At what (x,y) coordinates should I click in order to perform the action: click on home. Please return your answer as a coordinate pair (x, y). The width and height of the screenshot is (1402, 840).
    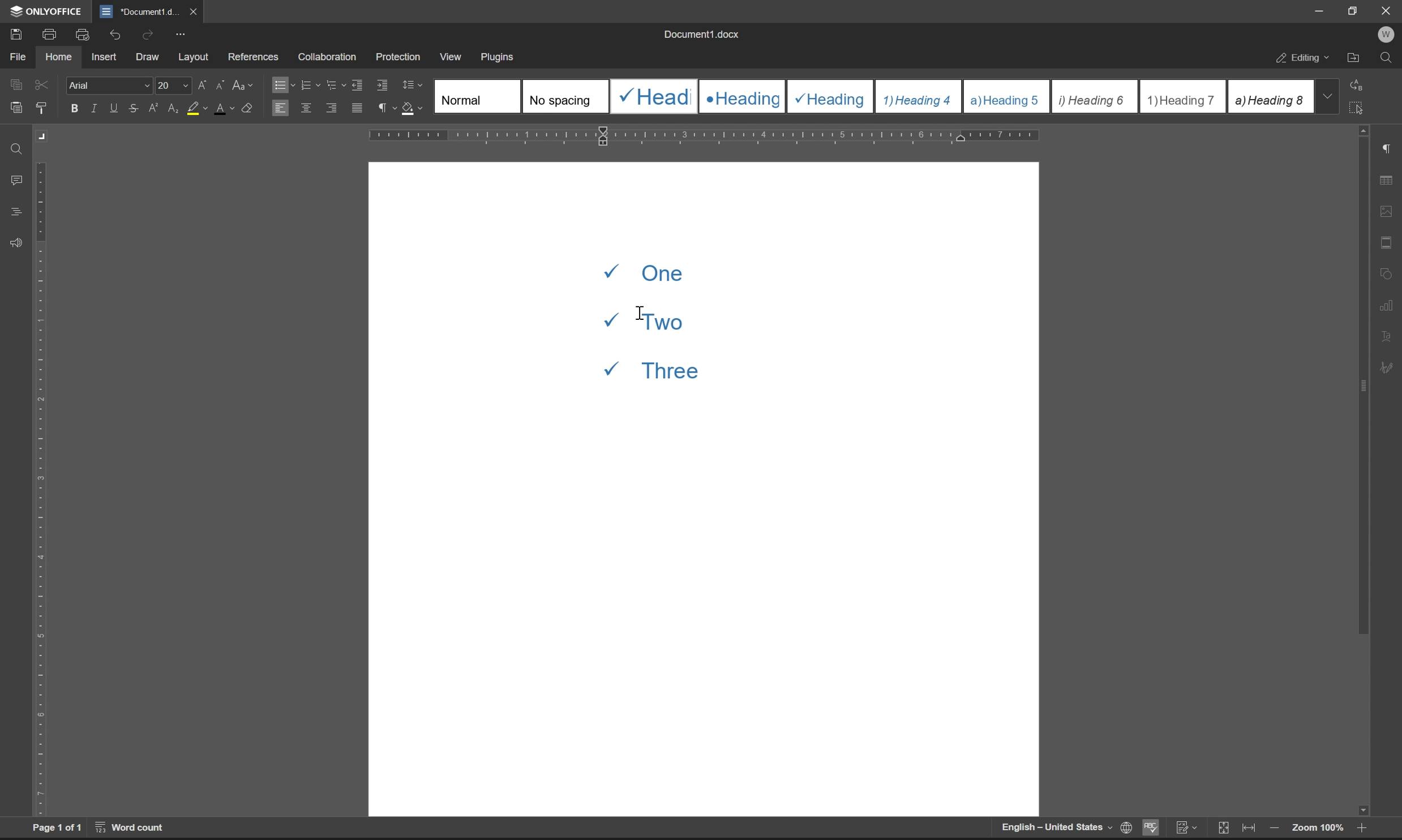
    Looking at the image, I should click on (58, 55).